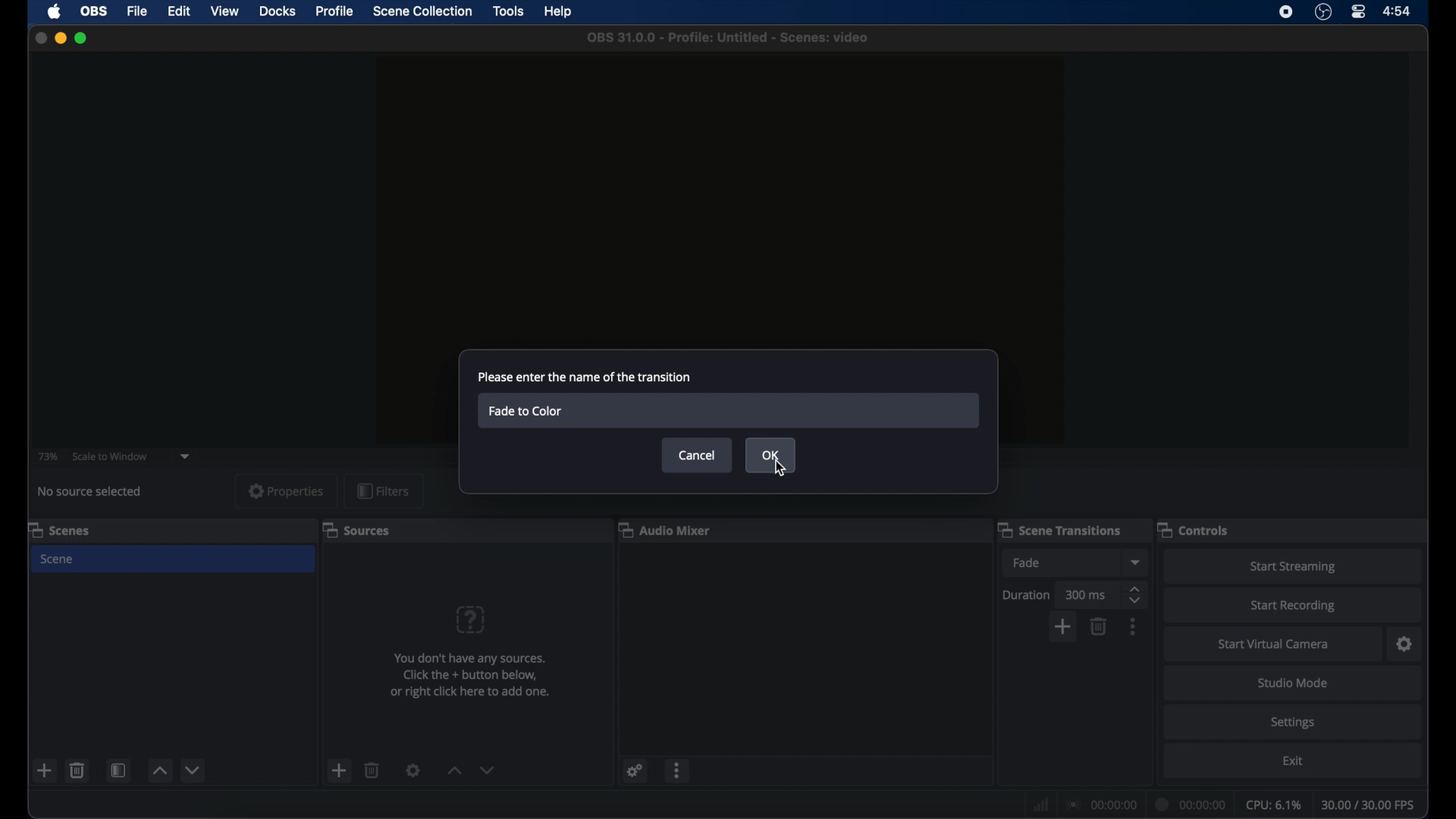  I want to click on decrement, so click(487, 770).